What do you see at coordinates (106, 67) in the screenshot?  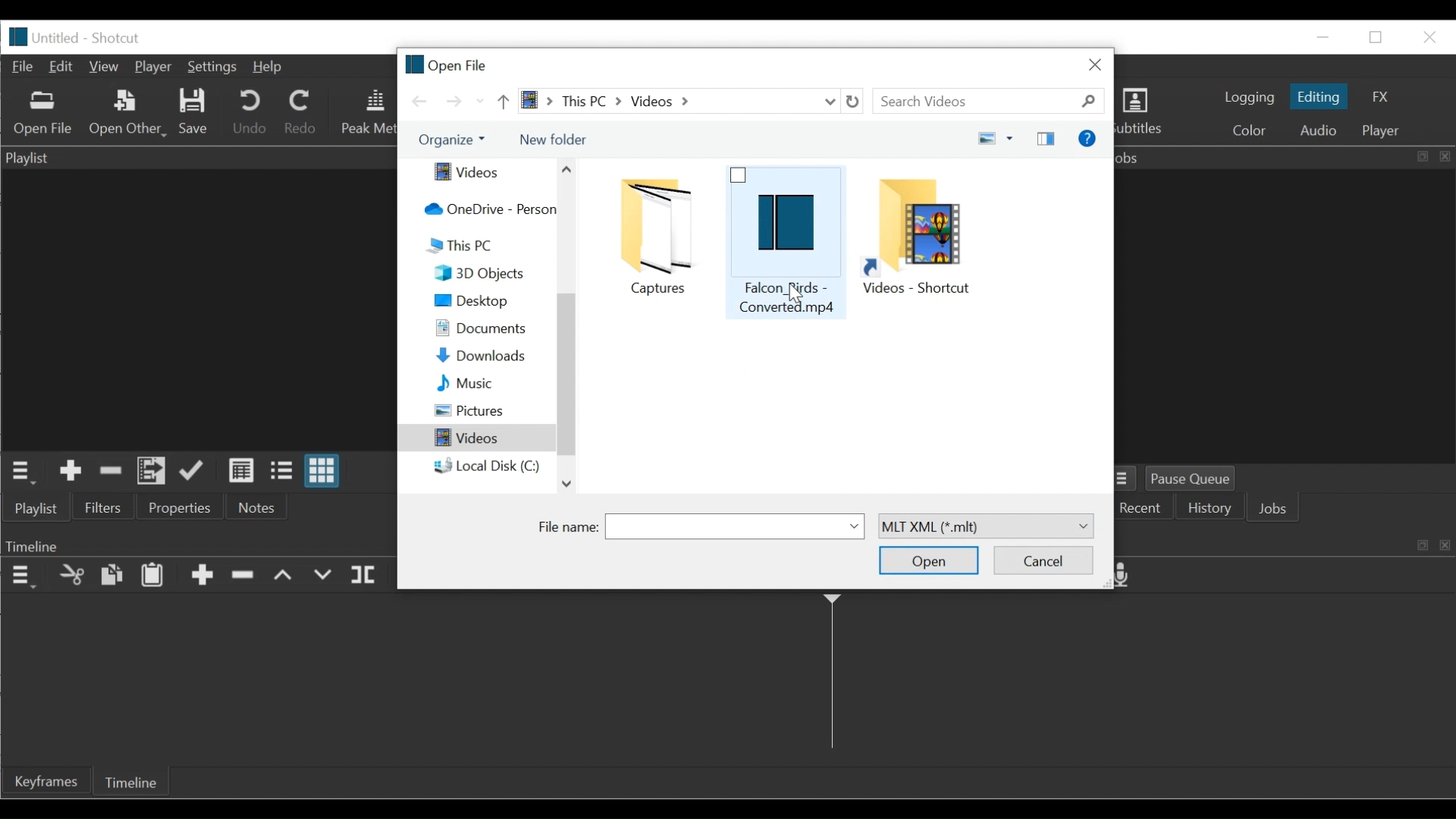 I see `View` at bounding box center [106, 67].